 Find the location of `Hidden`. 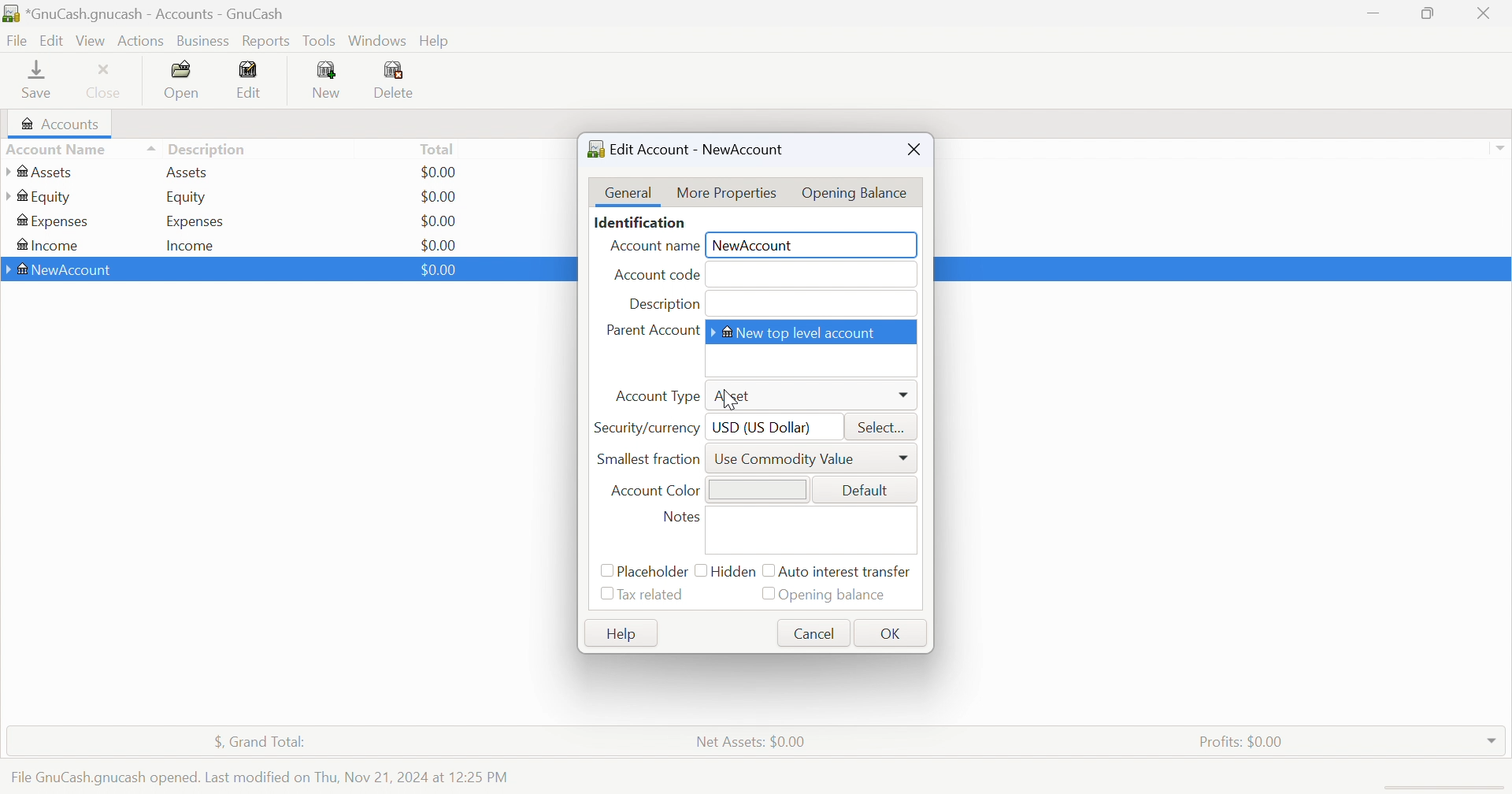

Hidden is located at coordinates (735, 572).